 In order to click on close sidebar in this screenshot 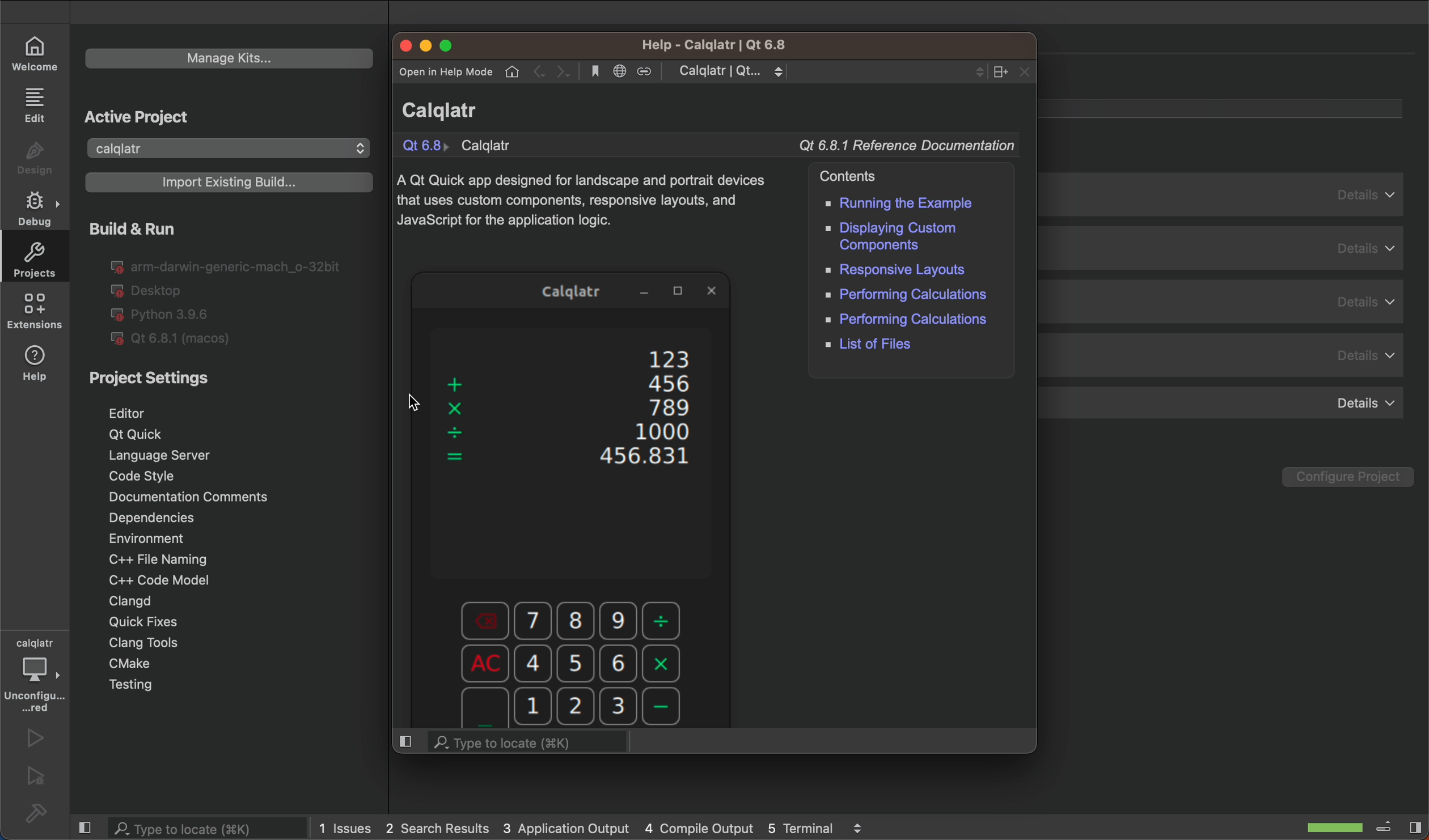, I will do `click(1401, 827)`.